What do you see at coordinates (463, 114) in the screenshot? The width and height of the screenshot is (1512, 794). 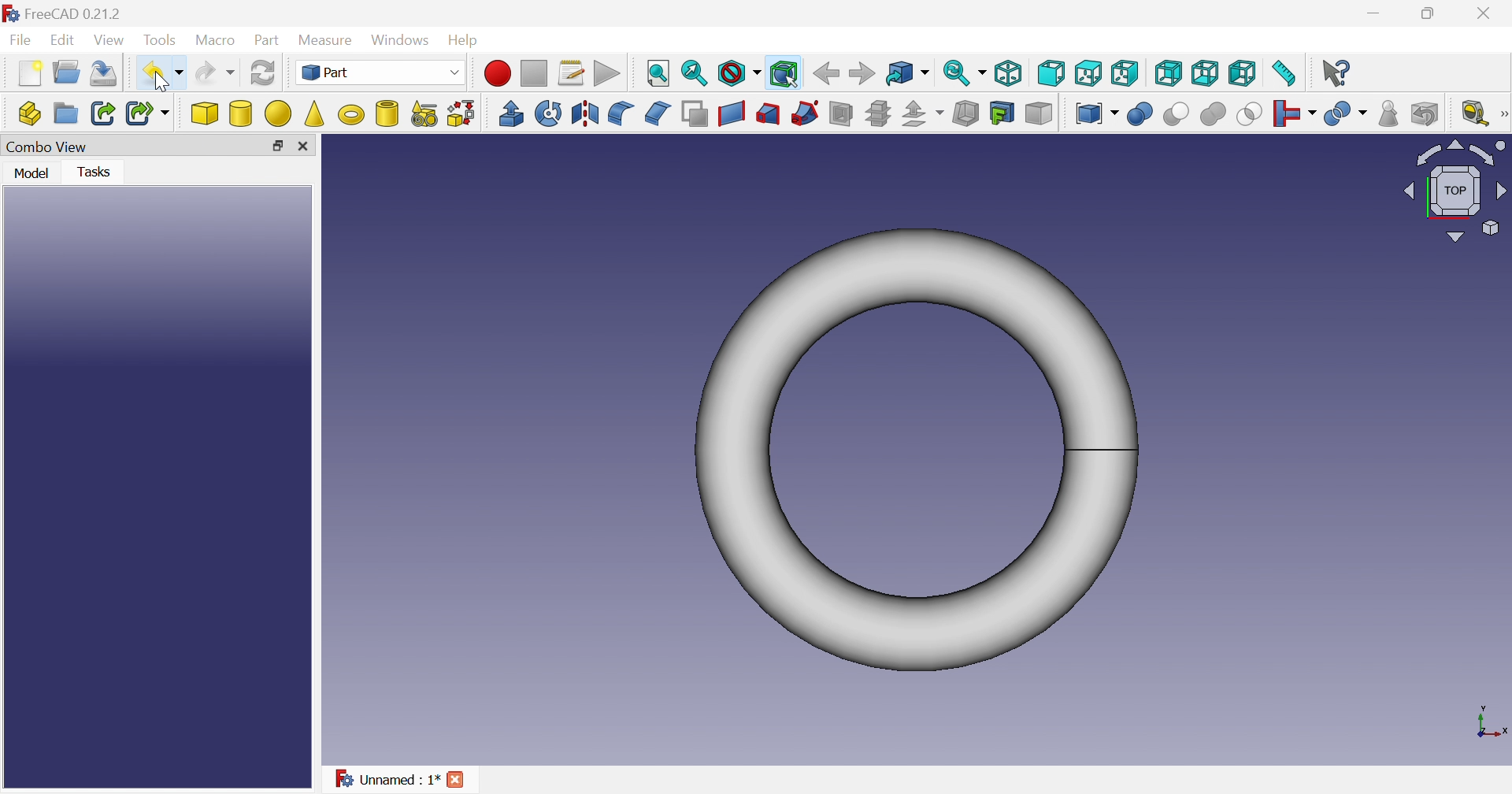 I see `Shape builder` at bounding box center [463, 114].